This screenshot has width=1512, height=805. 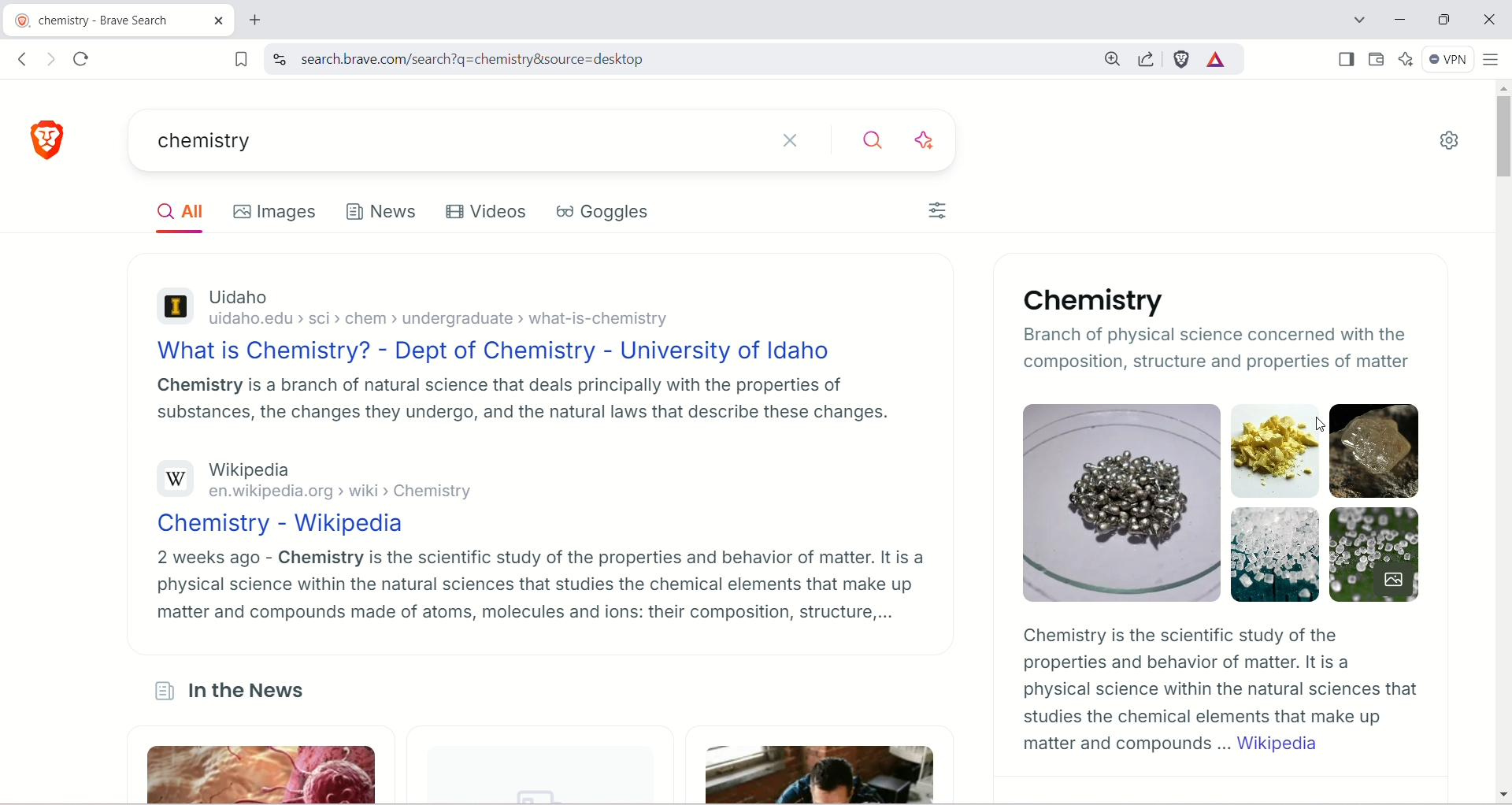 What do you see at coordinates (383, 211) in the screenshot?
I see `News` at bounding box center [383, 211].